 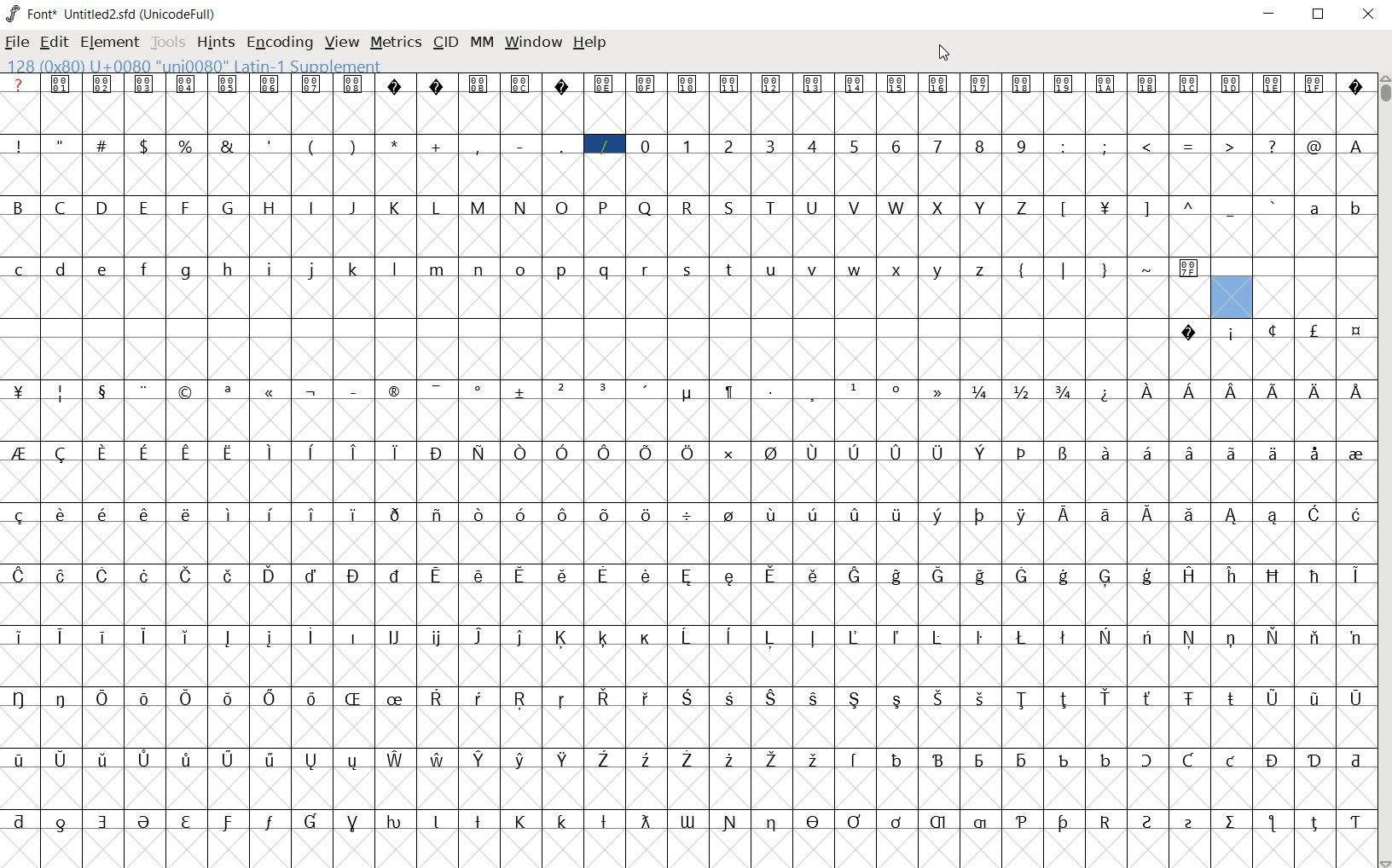 I want to click on glyph, so click(x=478, y=821).